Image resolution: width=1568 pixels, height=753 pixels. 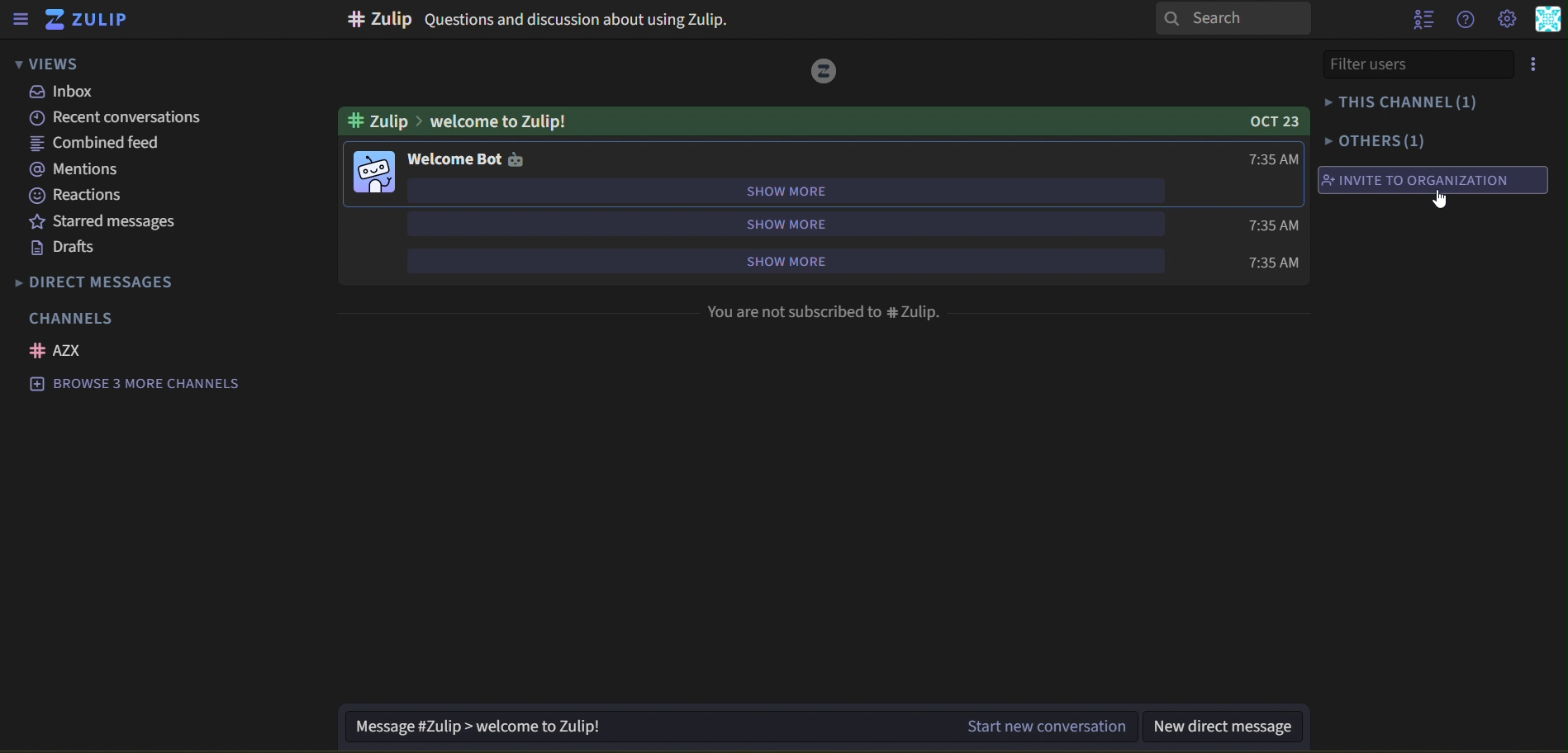 I want to click on menu, so click(x=1542, y=64).